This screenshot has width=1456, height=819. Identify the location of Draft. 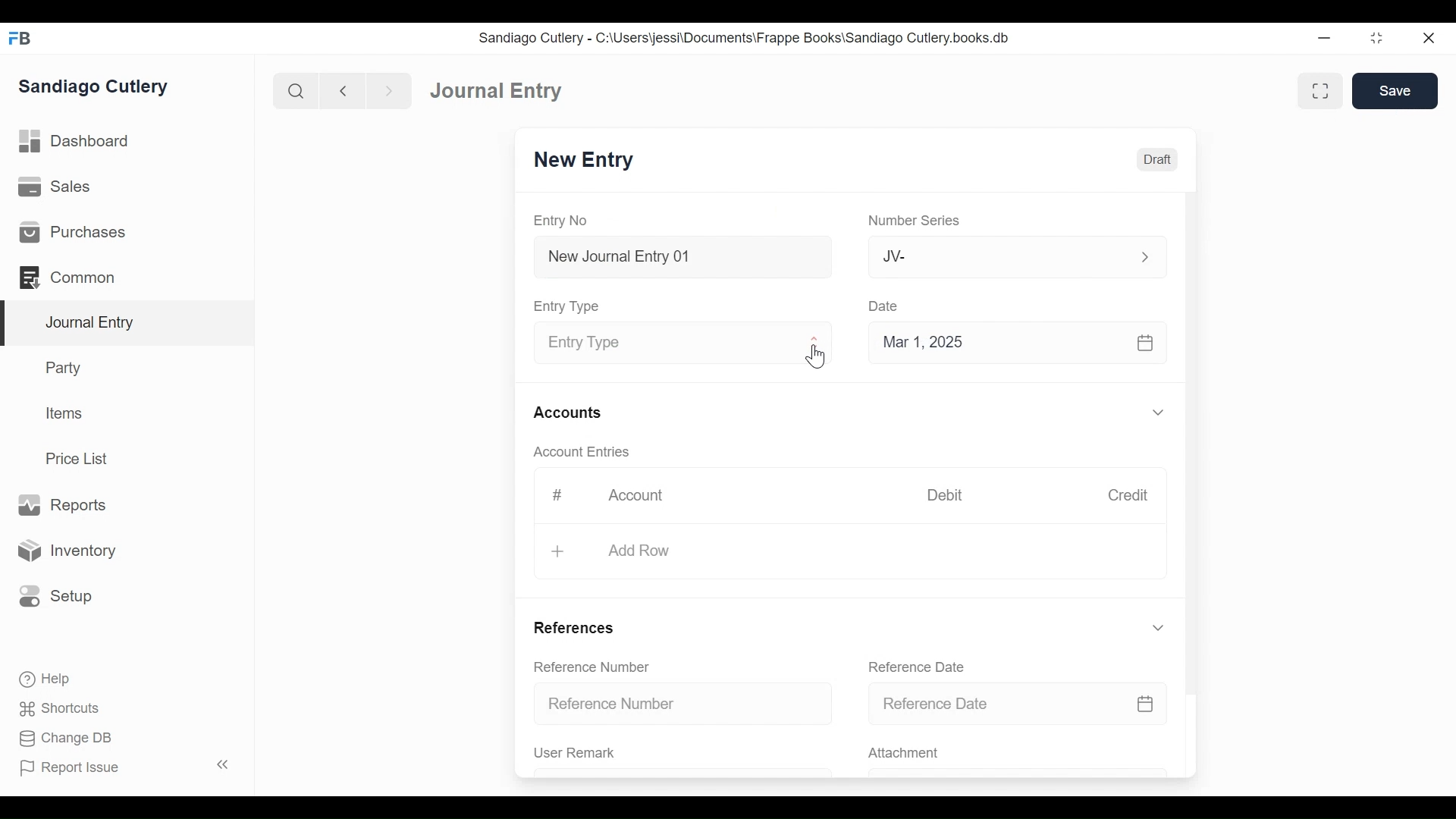
(1155, 159).